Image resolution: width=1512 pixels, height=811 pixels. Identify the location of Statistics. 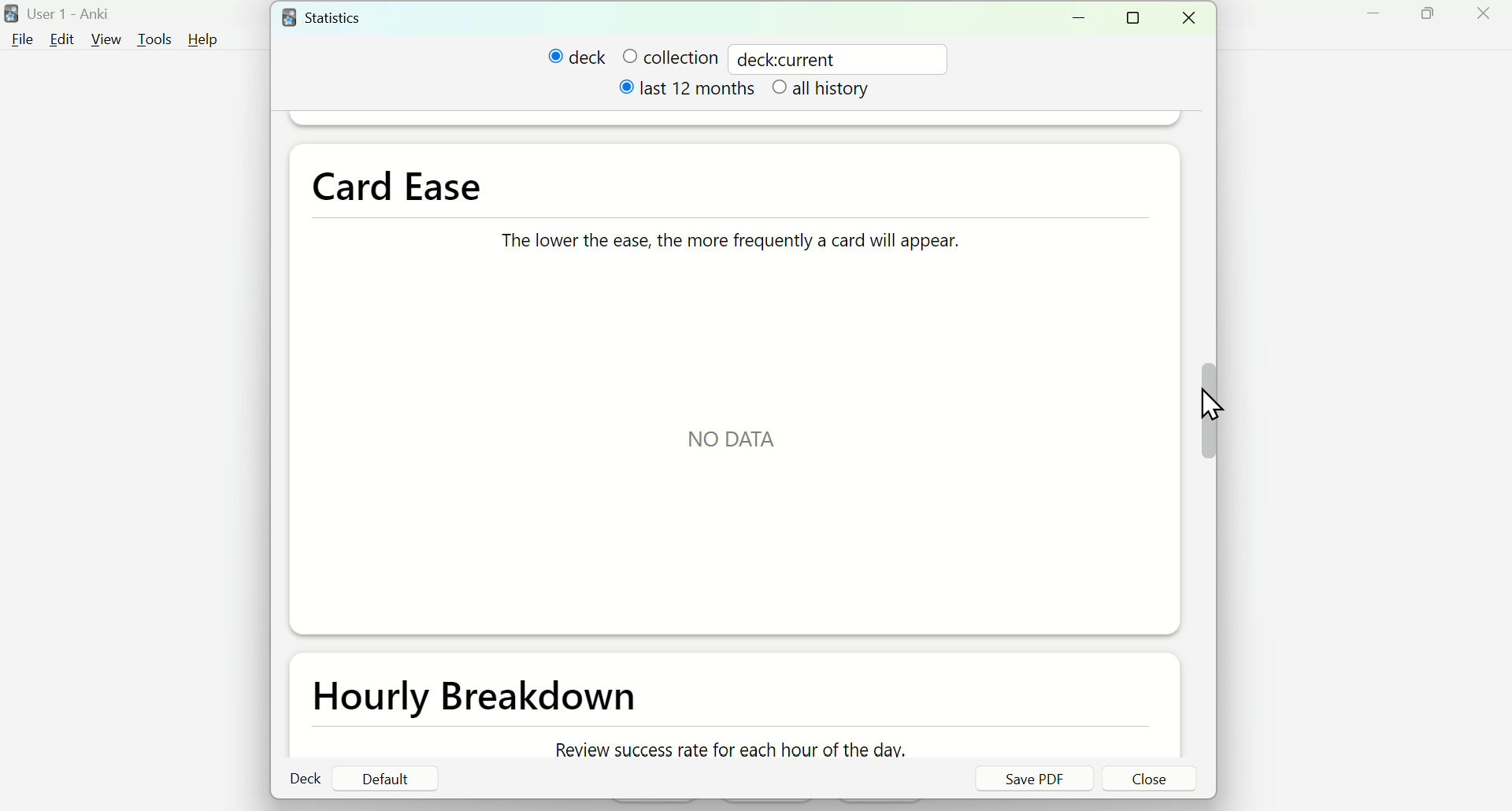
(339, 17).